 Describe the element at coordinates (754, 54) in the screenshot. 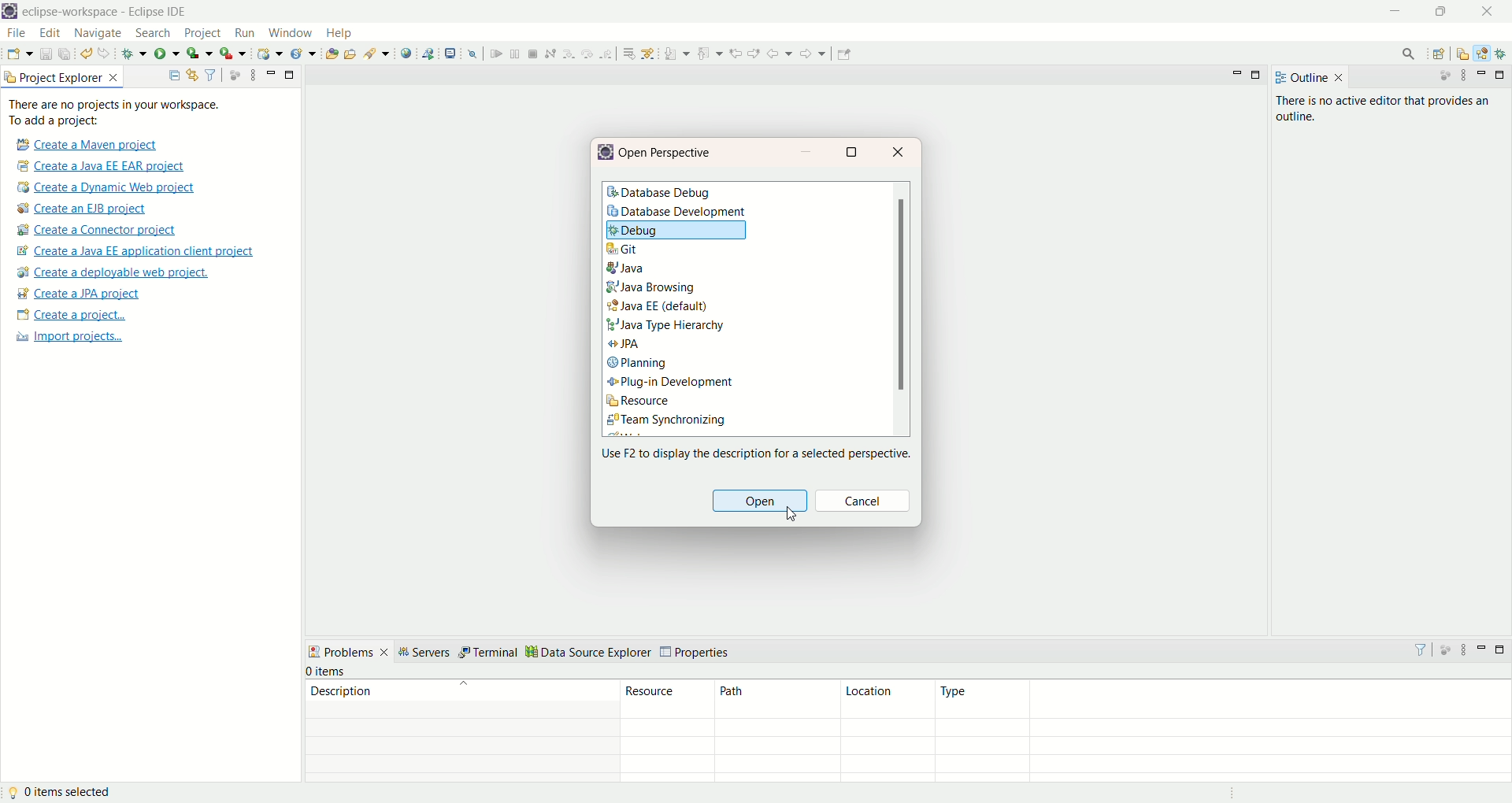

I see `previous edit location` at that location.